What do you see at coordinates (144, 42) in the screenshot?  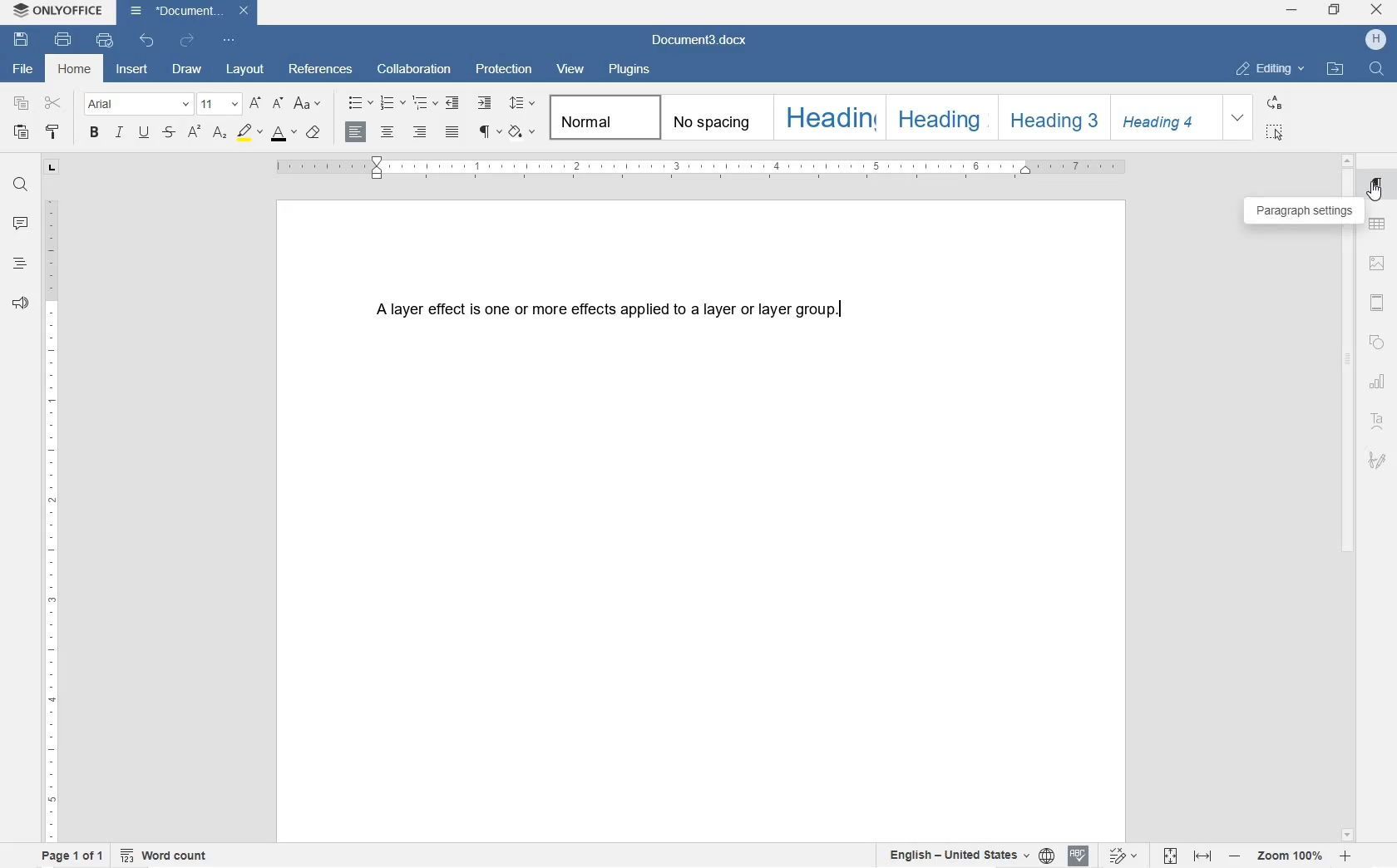 I see `UNDO` at bounding box center [144, 42].